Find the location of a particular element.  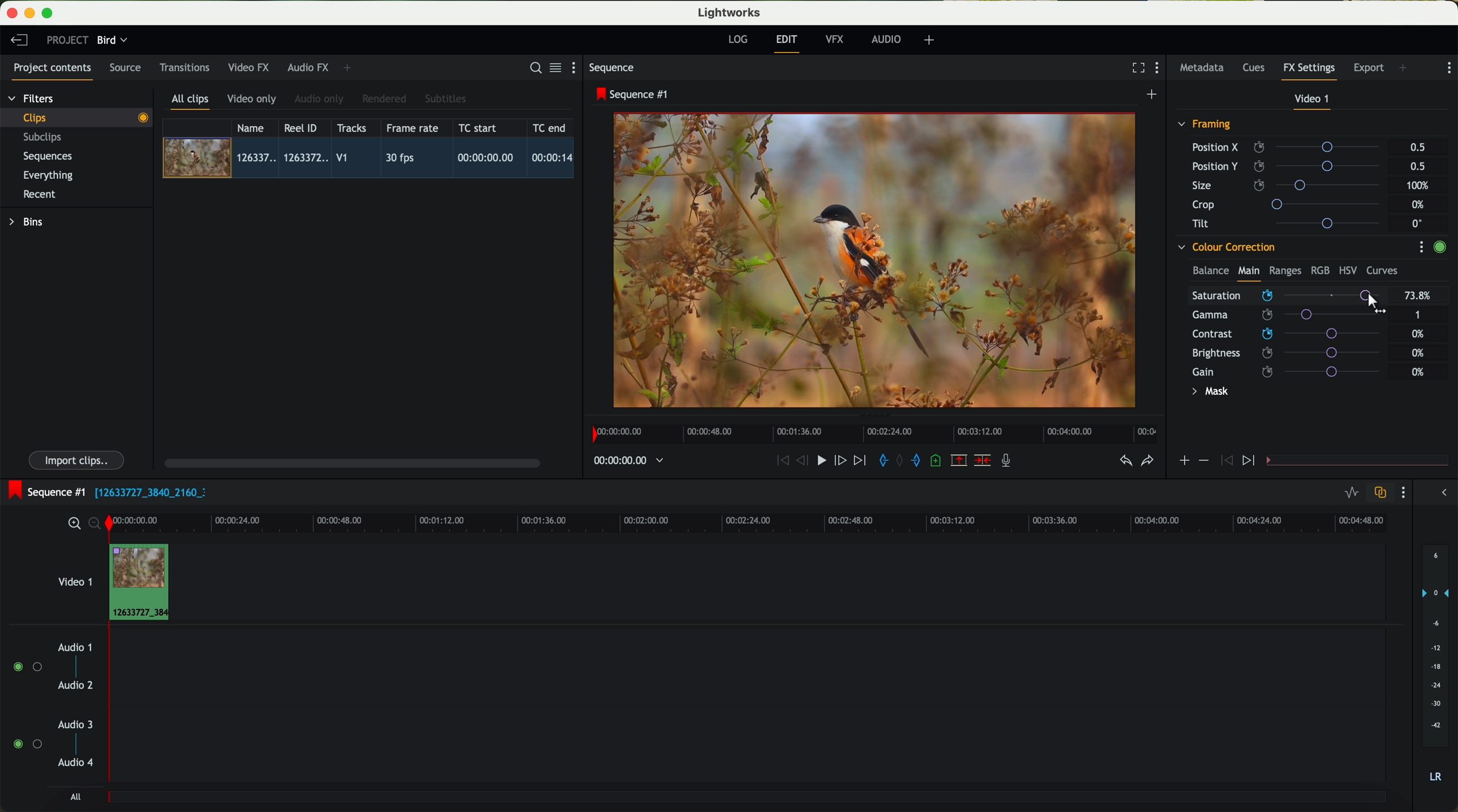

audio FX is located at coordinates (308, 67).